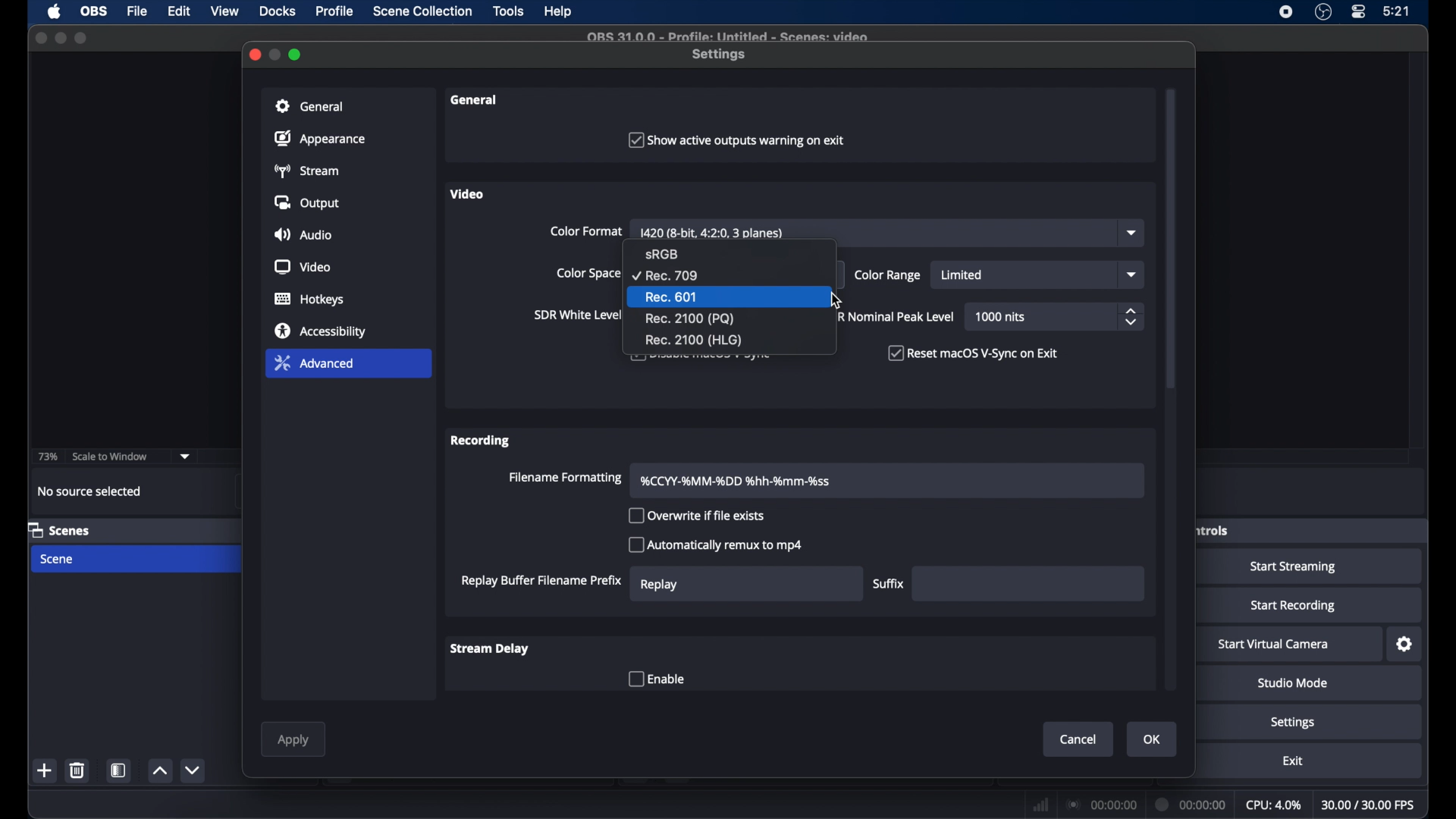  Describe the element at coordinates (1287, 11) in the screenshot. I see `screen recorder` at that location.